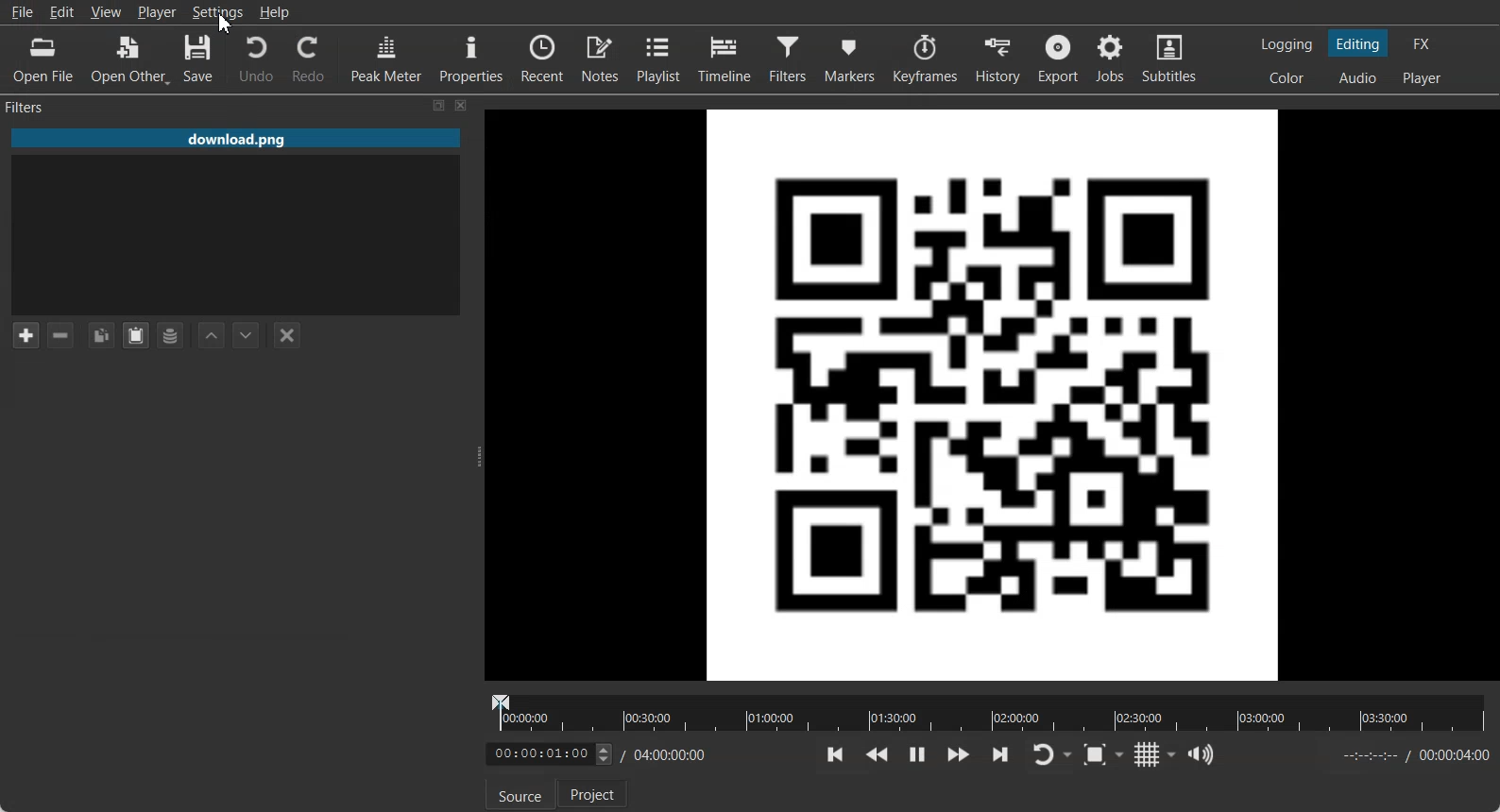  What do you see at coordinates (136, 335) in the screenshot?
I see `Paste Filter` at bounding box center [136, 335].